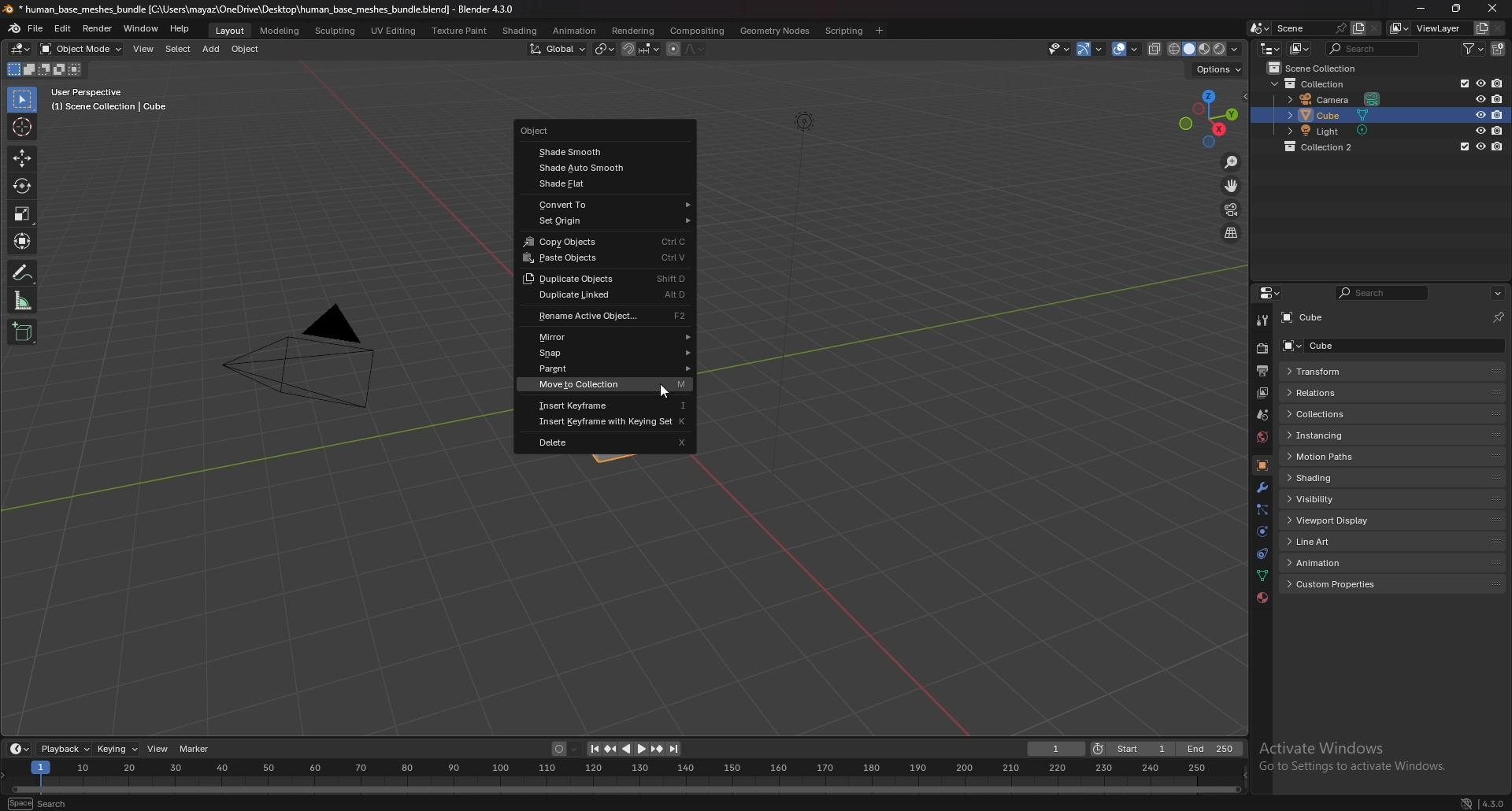 Image resolution: width=1512 pixels, height=811 pixels. I want to click on line art, so click(1339, 543).